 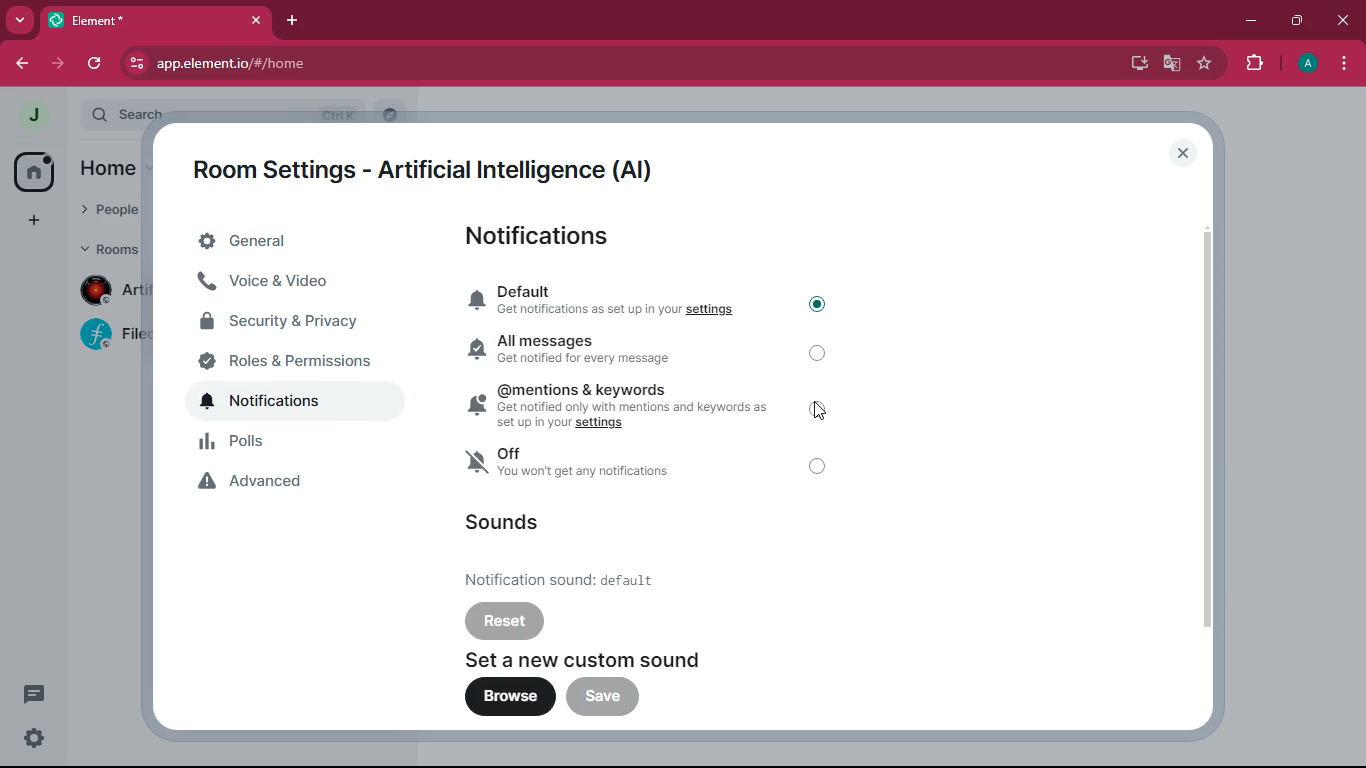 What do you see at coordinates (1183, 153) in the screenshot?
I see `close` at bounding box center [1183, 153].